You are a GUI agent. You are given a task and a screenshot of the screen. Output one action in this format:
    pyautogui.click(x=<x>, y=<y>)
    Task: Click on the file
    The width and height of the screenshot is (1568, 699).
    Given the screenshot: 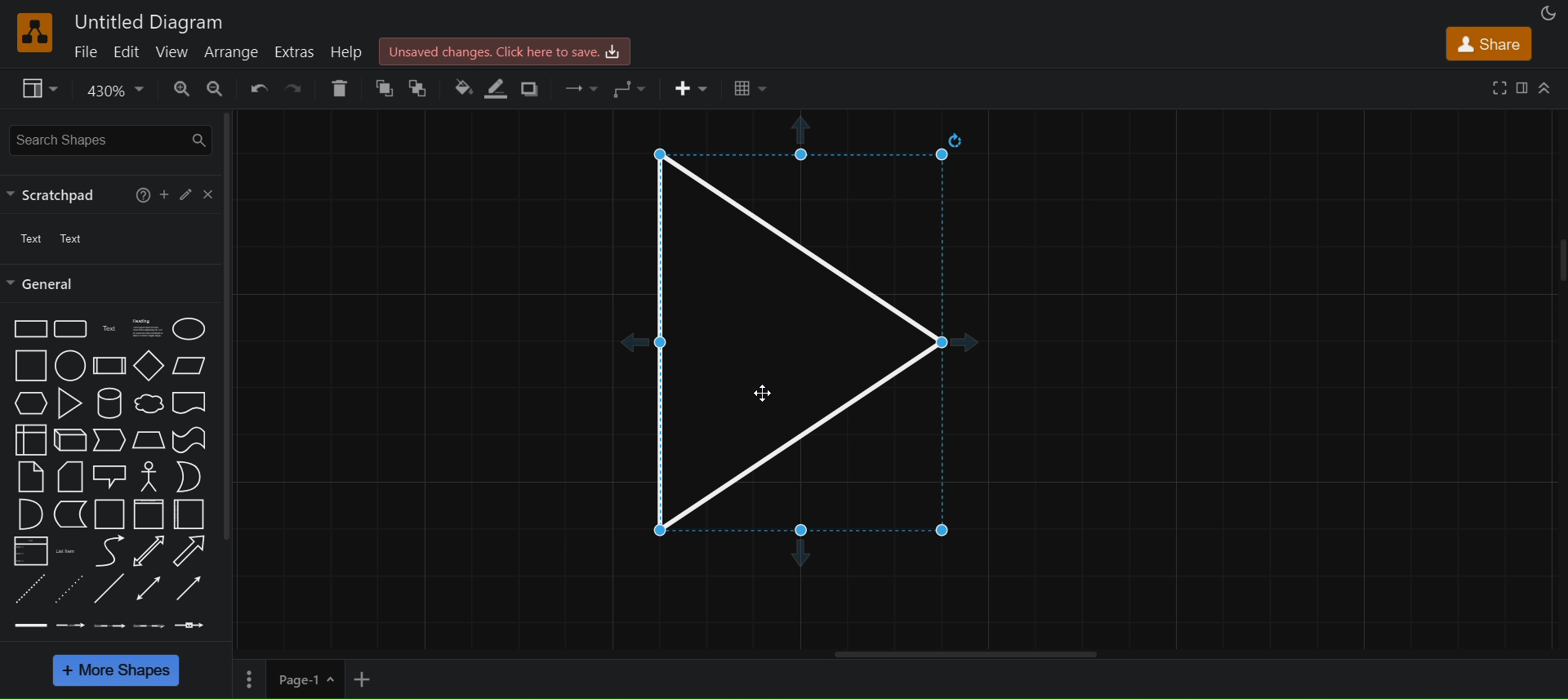 What is the action you would take?
    pyautogui.click(x=87, y=51)
    